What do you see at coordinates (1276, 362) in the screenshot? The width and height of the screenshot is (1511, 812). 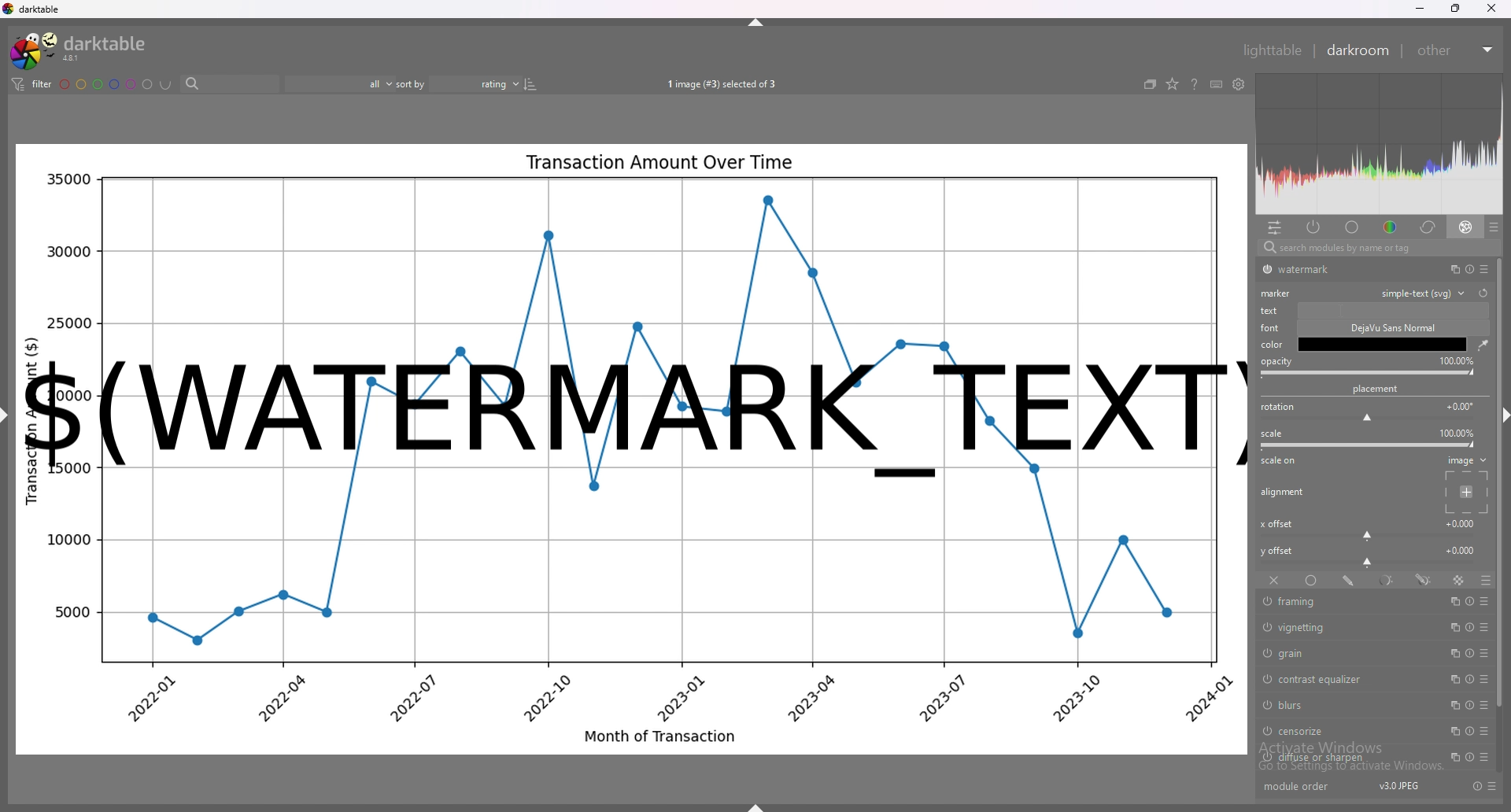 I see `opacity` at bounding box center [1276, 362].